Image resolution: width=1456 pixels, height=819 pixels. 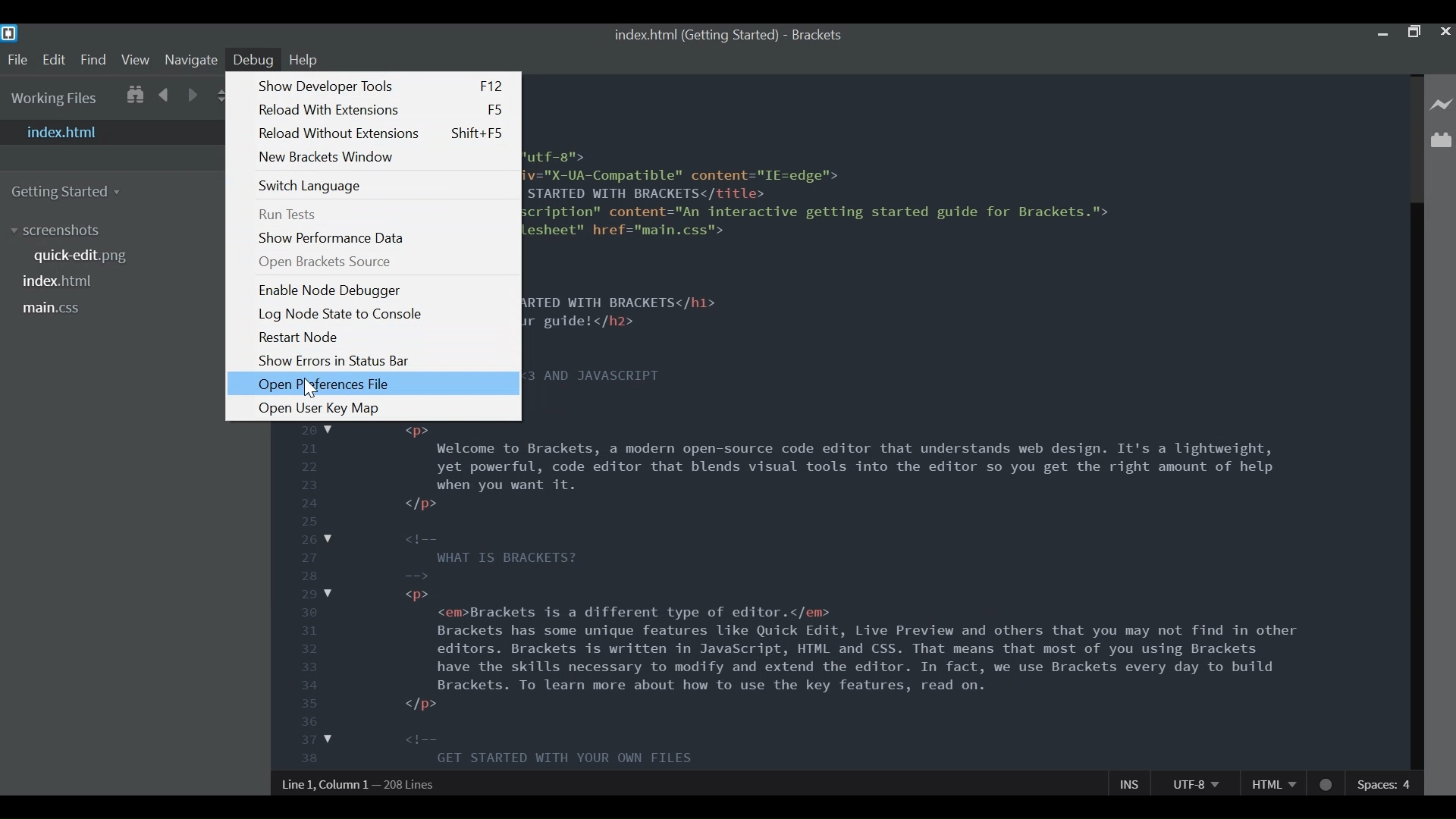 What do you see at coordinates (343, 315) in the screenshot?
I see `Log Node State to Console` at bounding box center [343, 315].